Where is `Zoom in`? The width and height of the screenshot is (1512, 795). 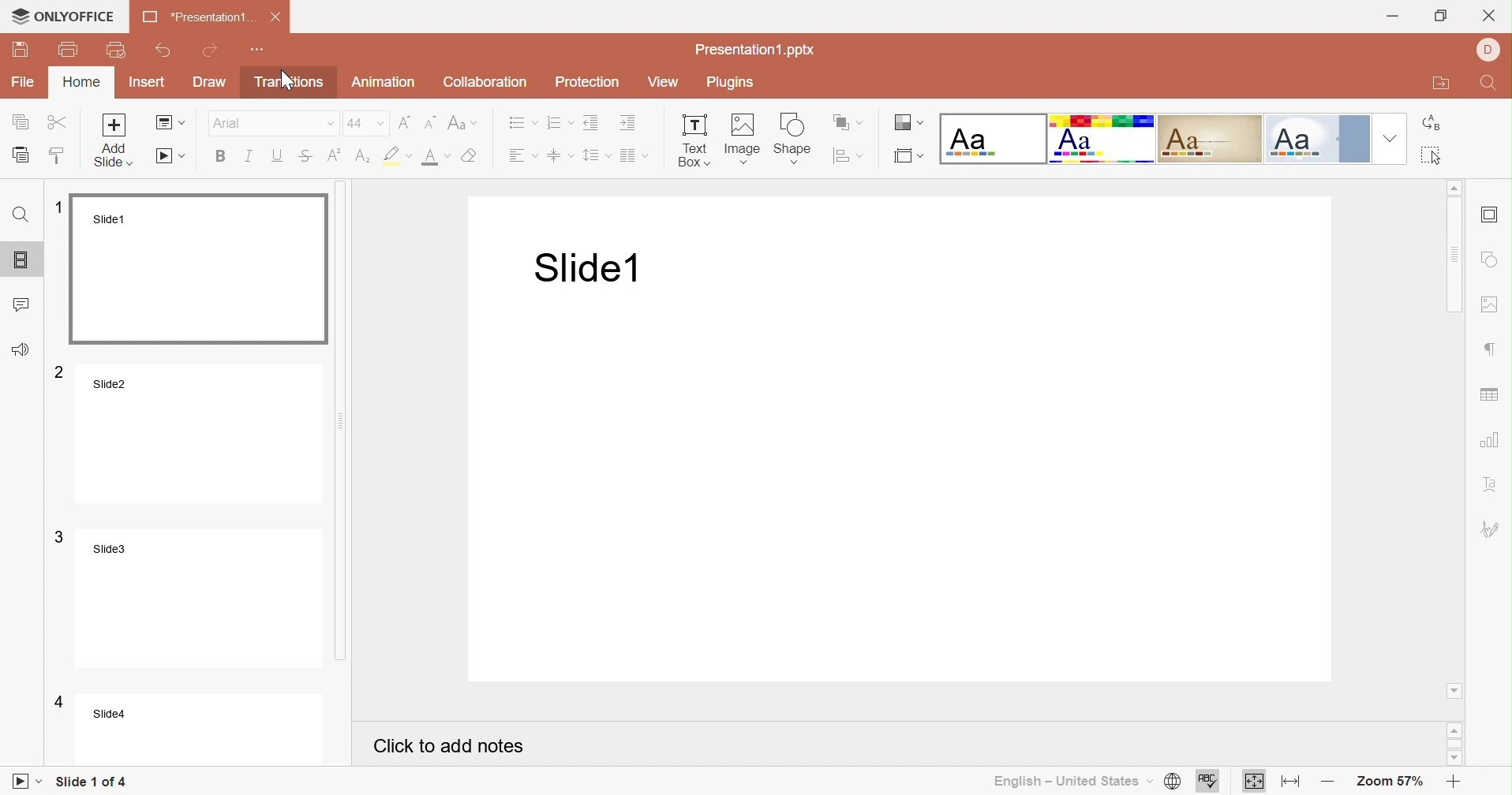
Zoom in is located at coordinates (1454, 784).